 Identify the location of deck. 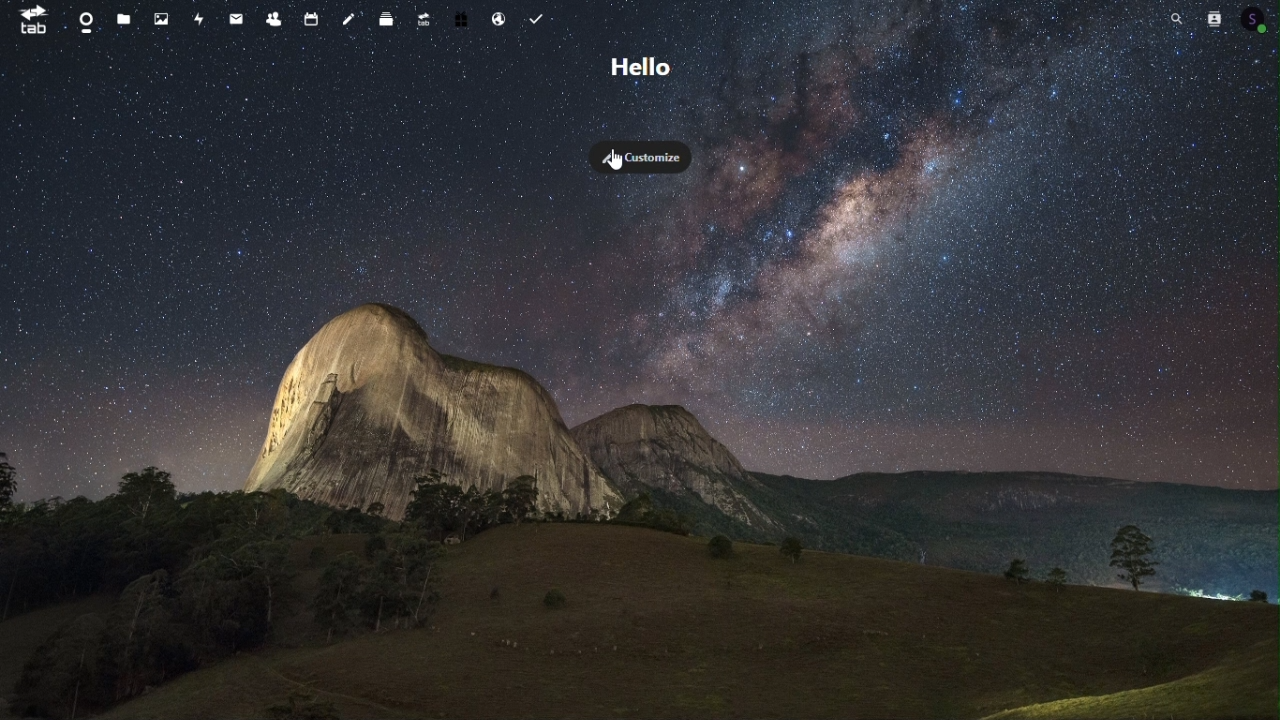
(383, 17).